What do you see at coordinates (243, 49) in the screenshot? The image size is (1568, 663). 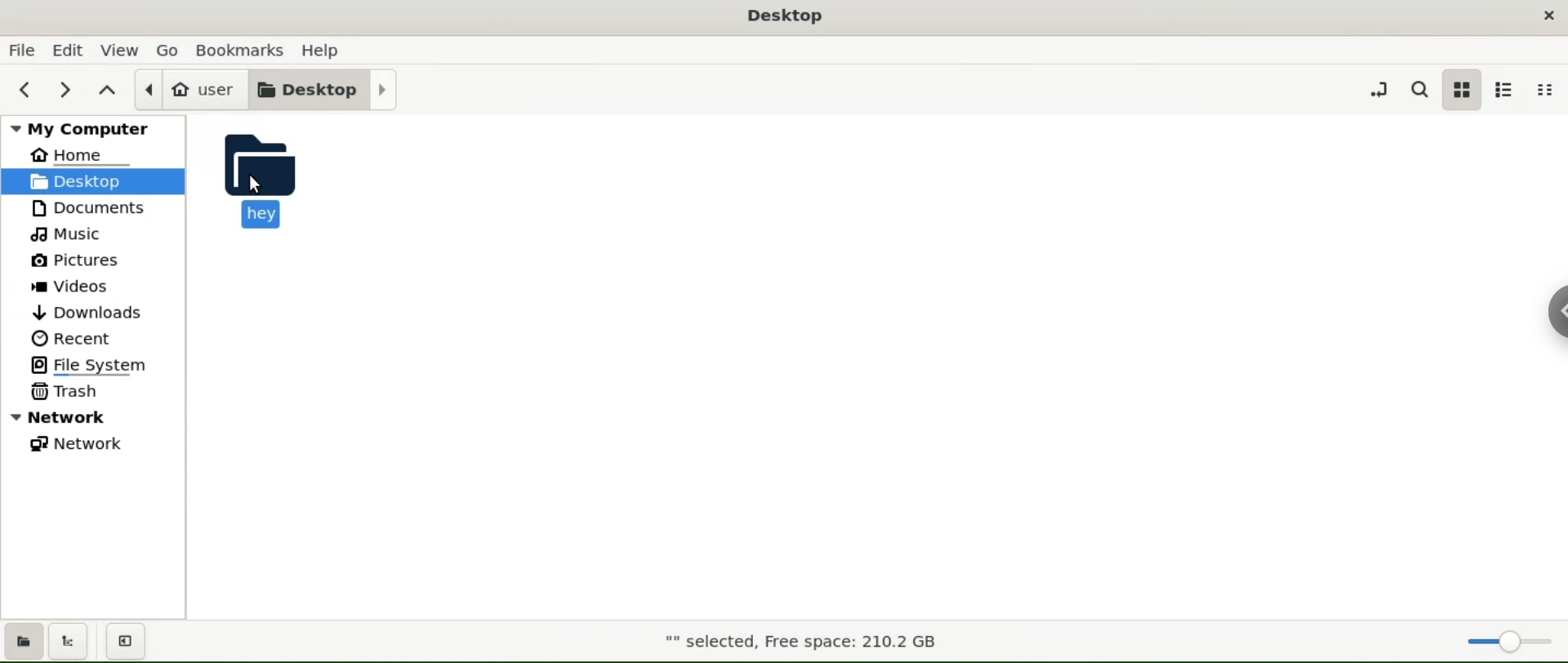 I see `bookmarks` at bounding box center [243, 49].